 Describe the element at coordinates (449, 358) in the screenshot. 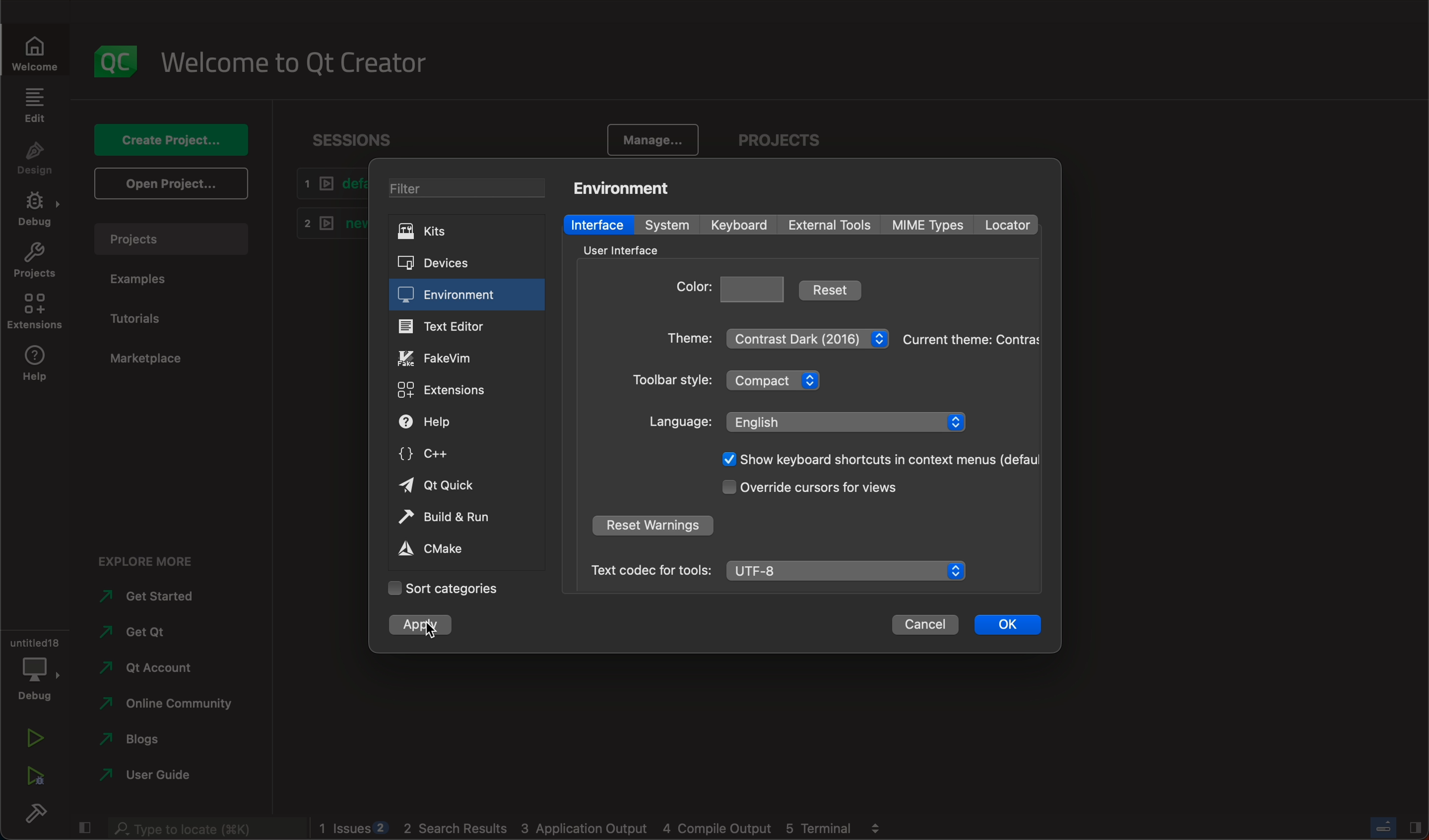

I see `fake vim` at that location.